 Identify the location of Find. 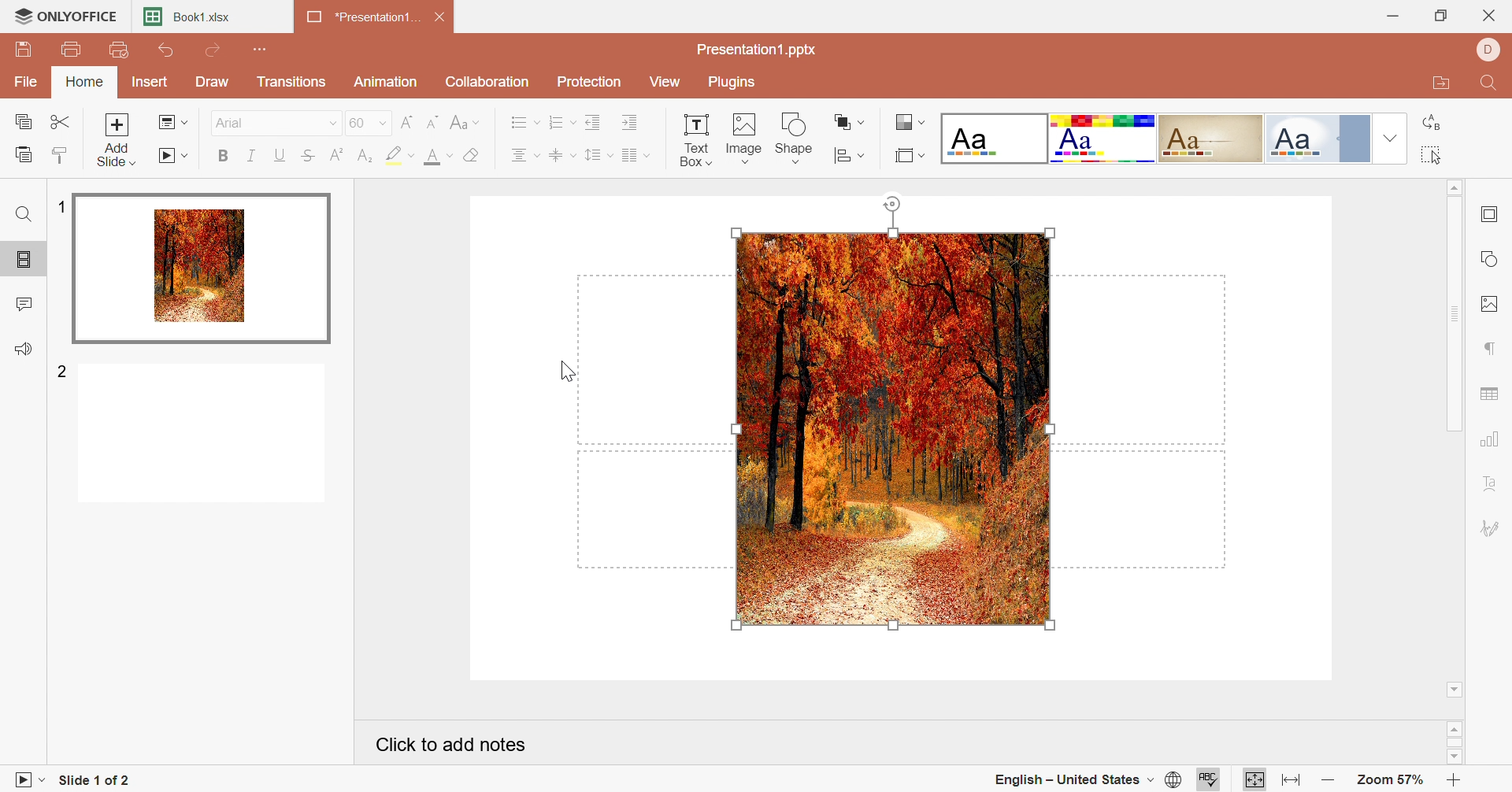
(23, 217).